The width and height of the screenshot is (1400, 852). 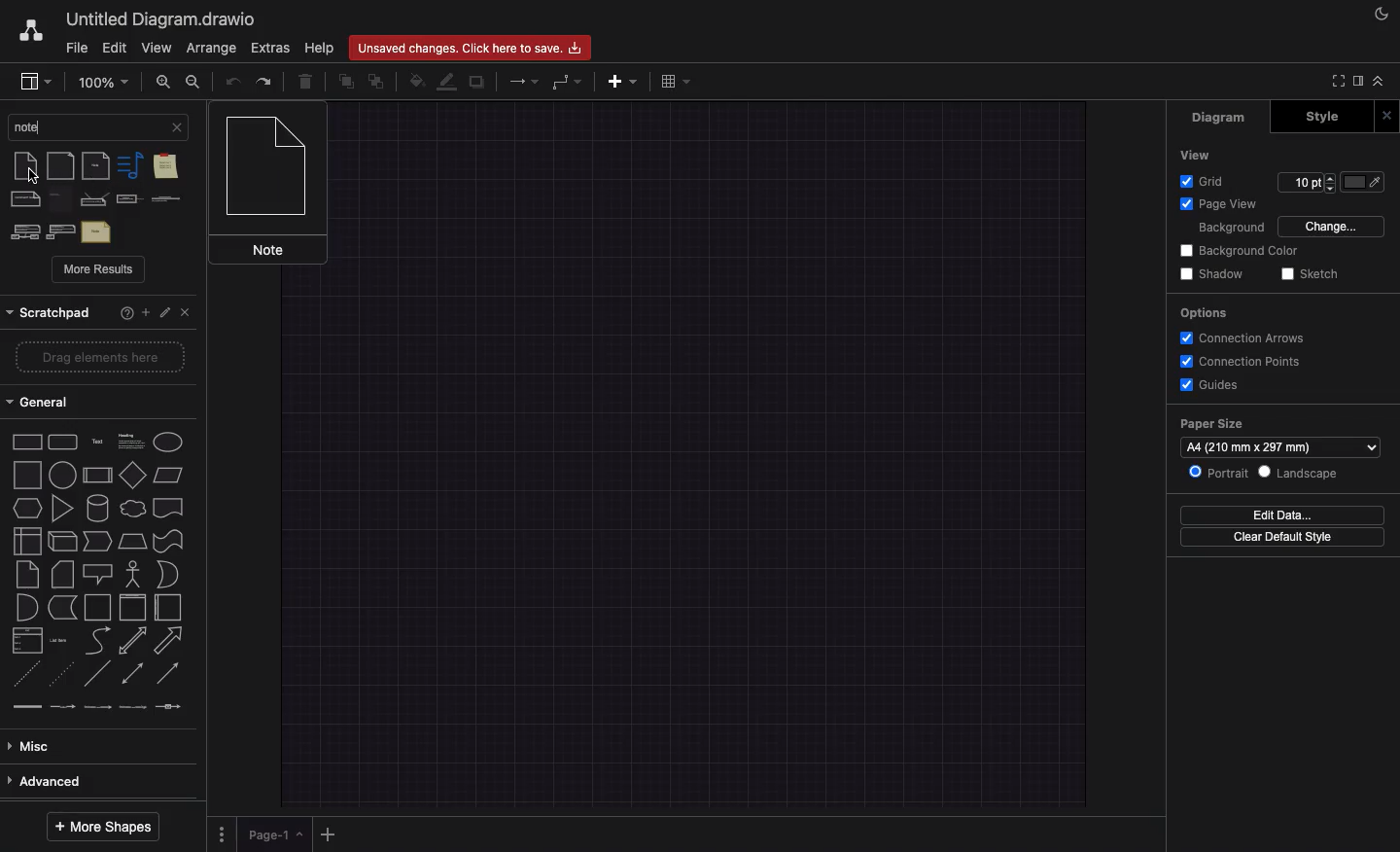 What do you see at coordinates (96, 358) in the screenshot?
I see `drag elements here` at bounding box center [96, 358].